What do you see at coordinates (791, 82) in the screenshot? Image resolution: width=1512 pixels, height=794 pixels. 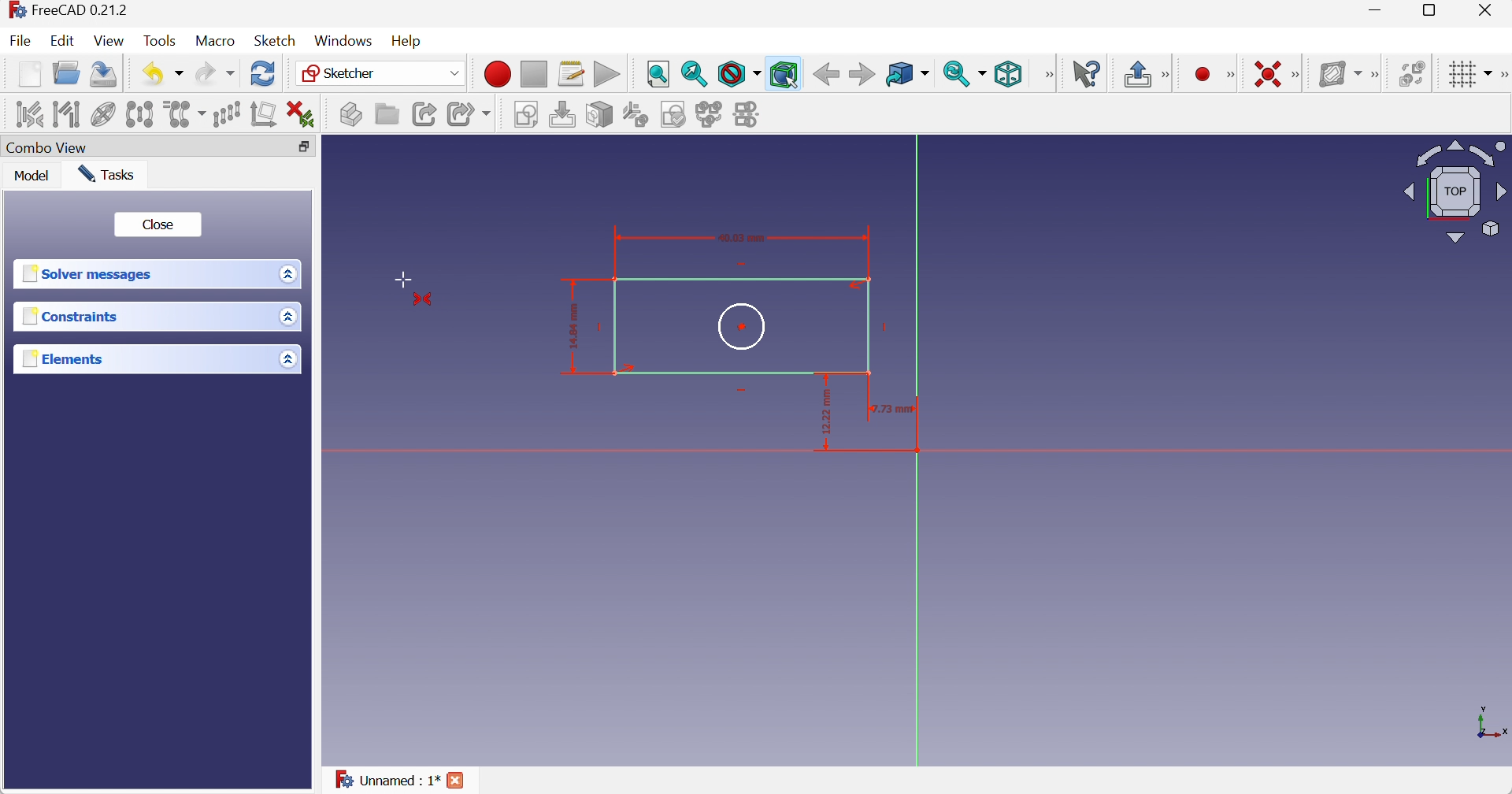 I see `cursor` at bounding box center [791, 82].